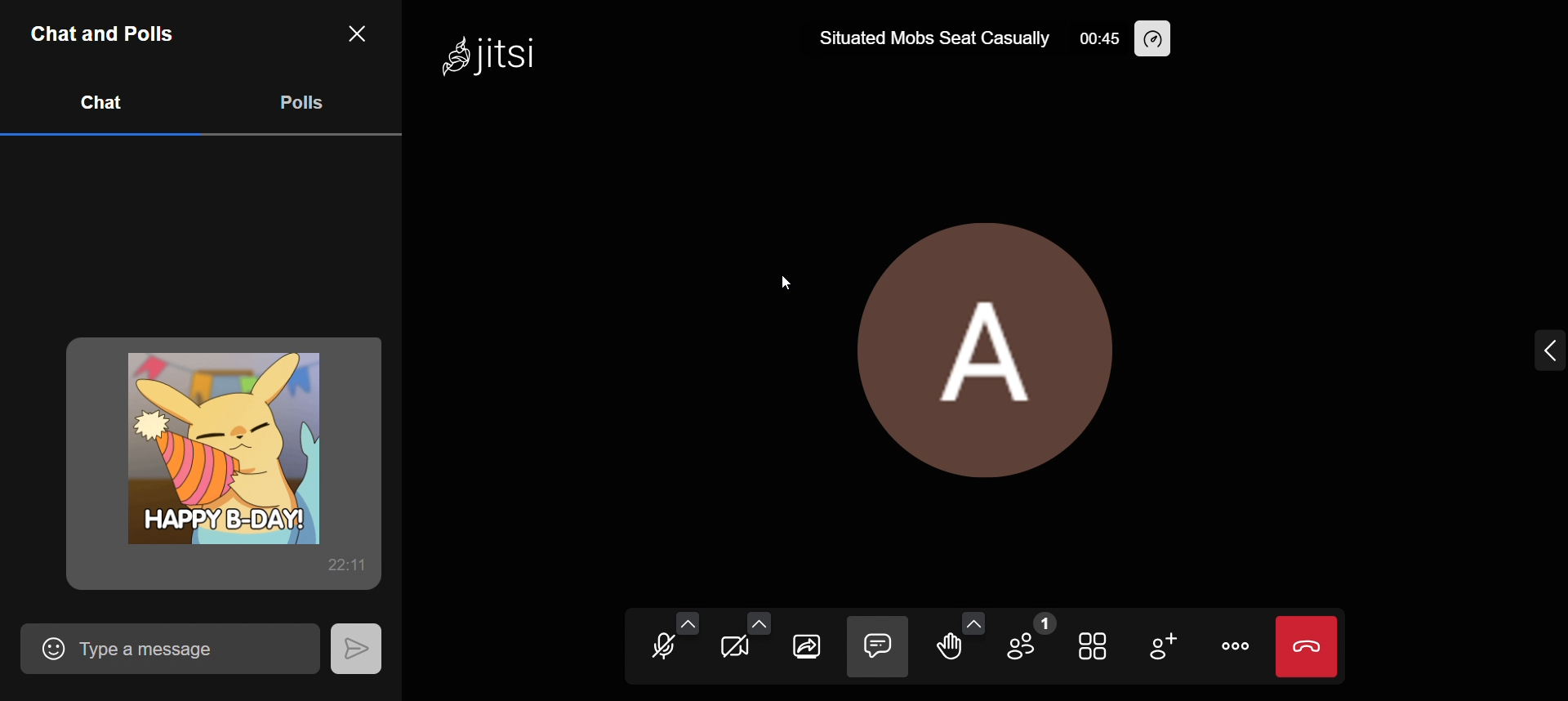 The width and height of the screenshot is (1568, 701). Describe the element at coordinates (808, 645) in the screenshot. I see `share screen` at that location.